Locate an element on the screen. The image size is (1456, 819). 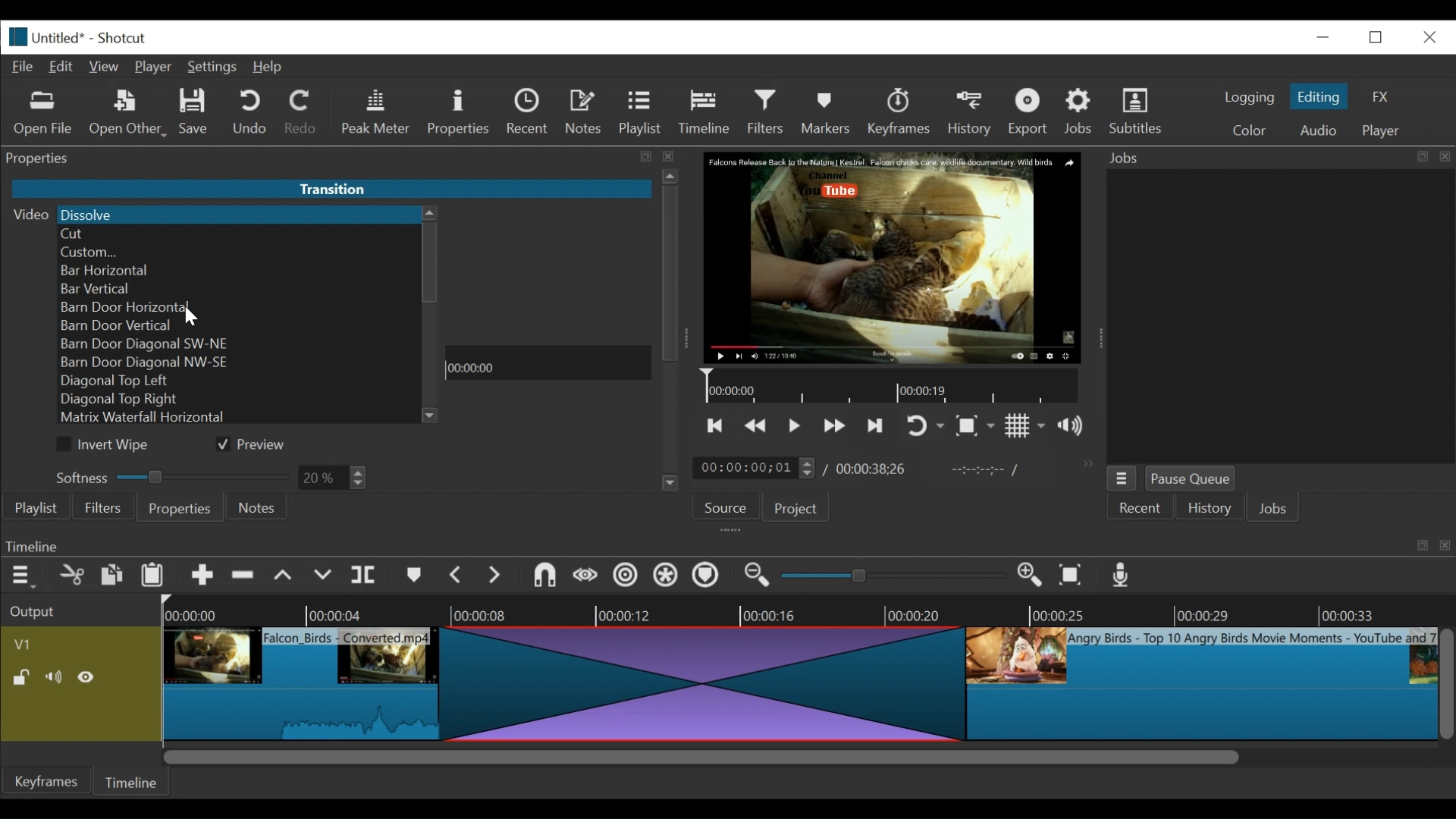
Scroll up is located at coordinates (672, 176).